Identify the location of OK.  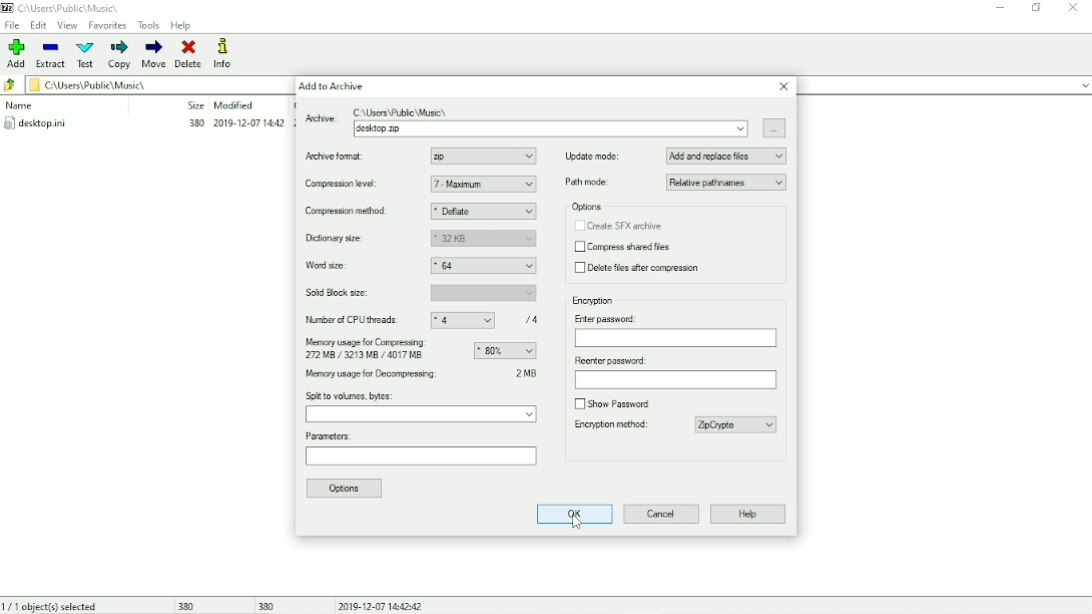
(572, 514).